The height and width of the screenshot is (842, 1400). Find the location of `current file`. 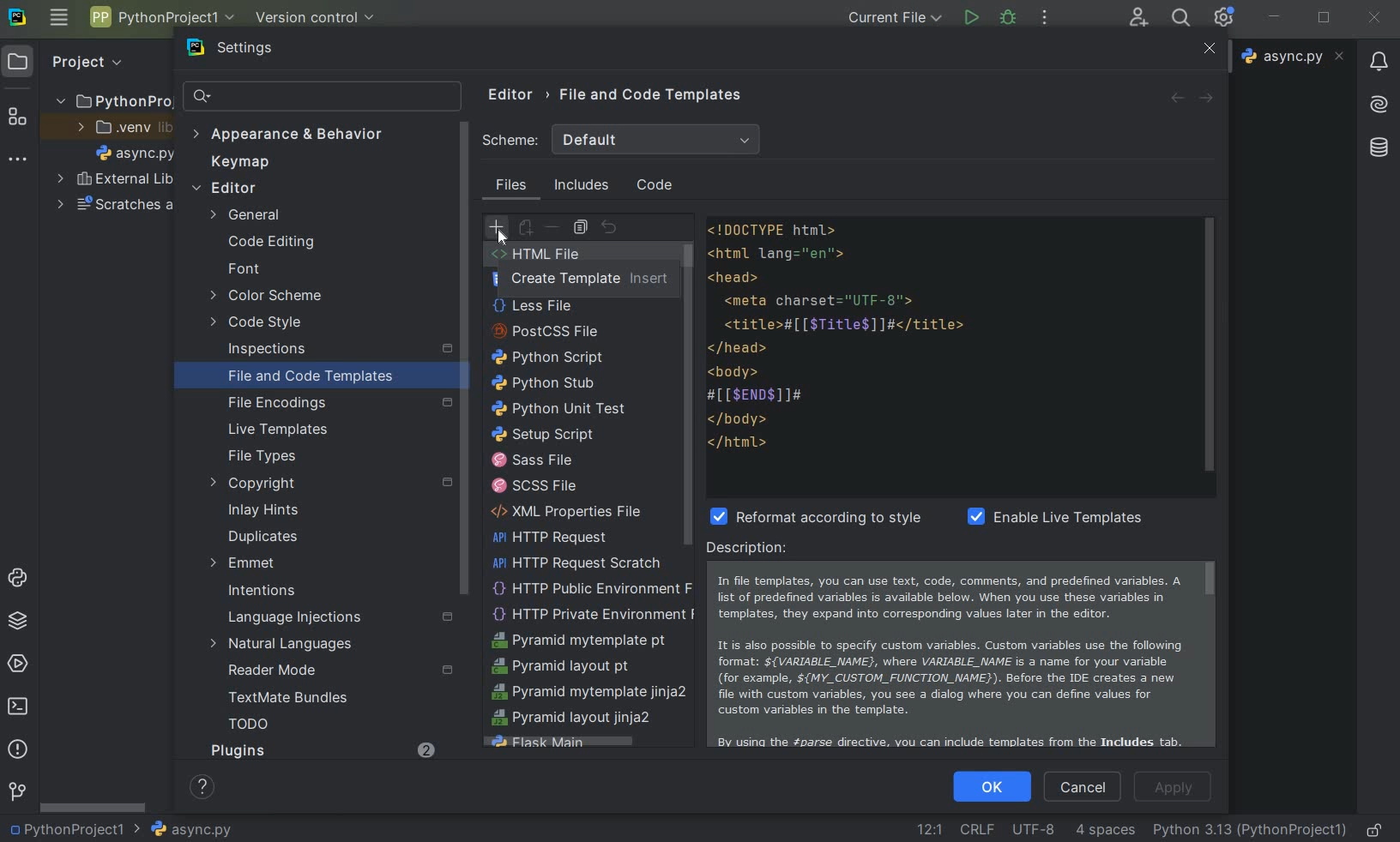

current file is located at coordinates (893, 19).